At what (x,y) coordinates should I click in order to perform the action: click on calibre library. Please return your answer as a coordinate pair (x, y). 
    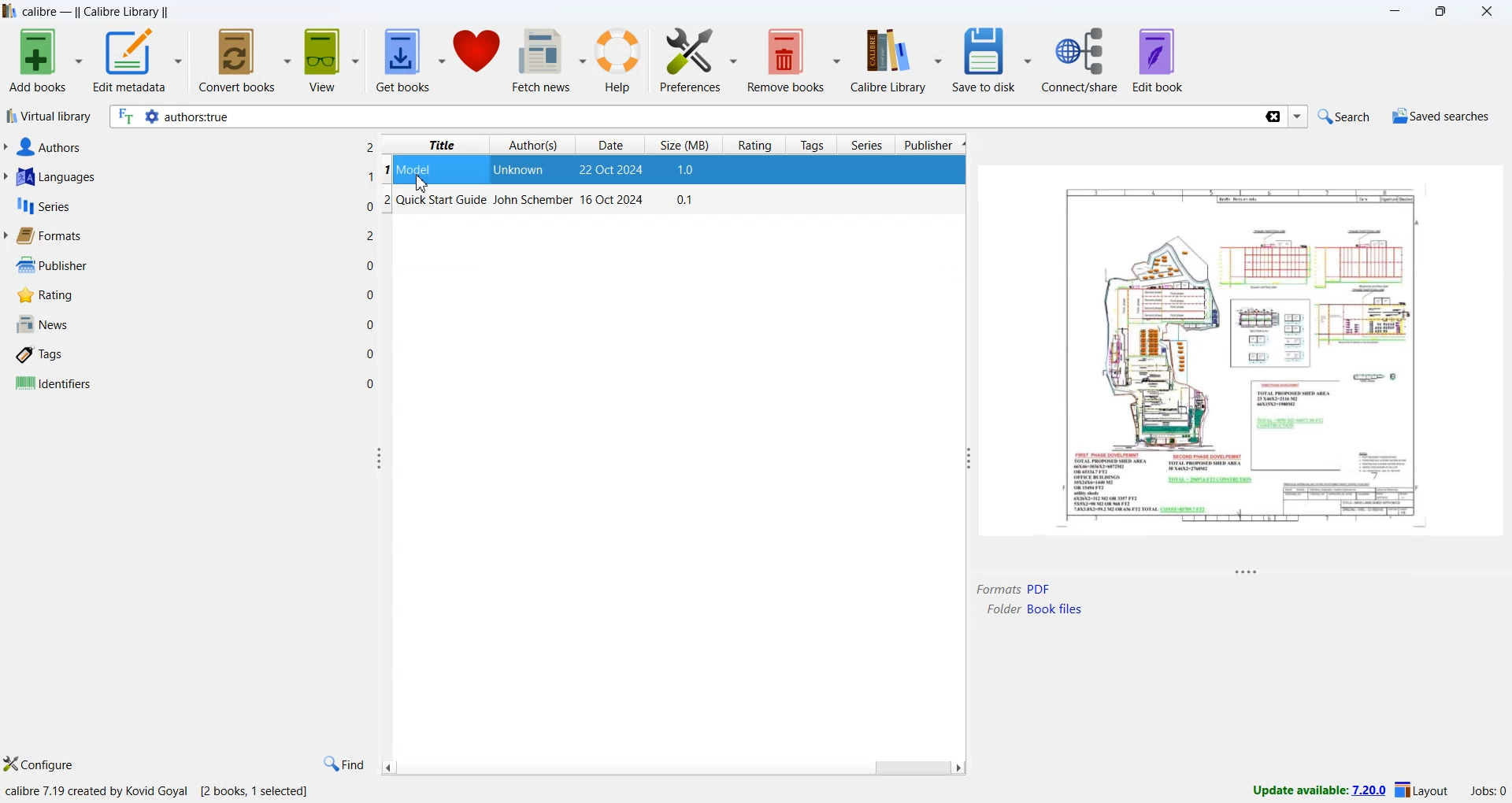
    Looking at the image, I should click on (125, 13).